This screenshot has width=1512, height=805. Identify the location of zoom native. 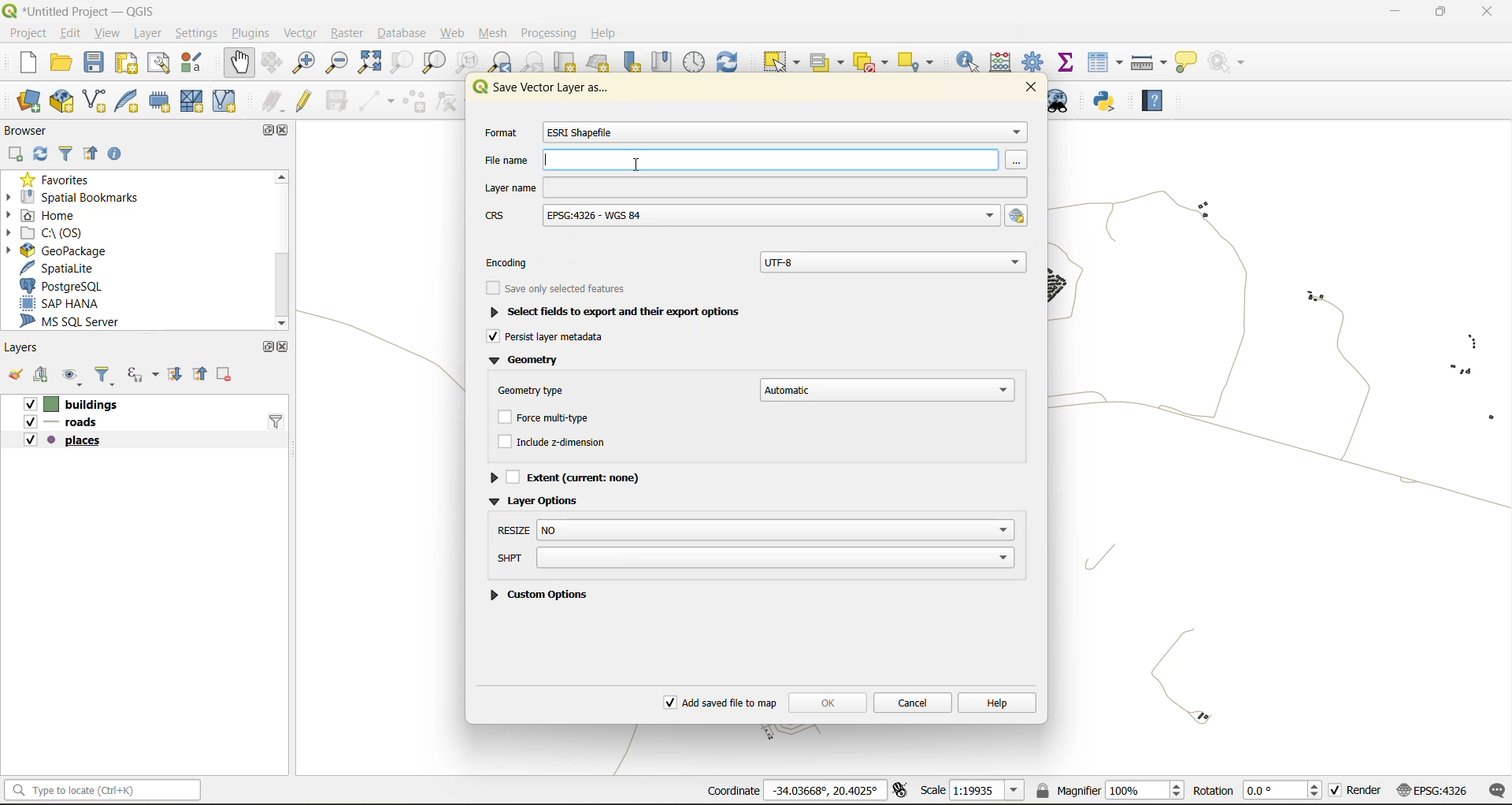
(471, 63).